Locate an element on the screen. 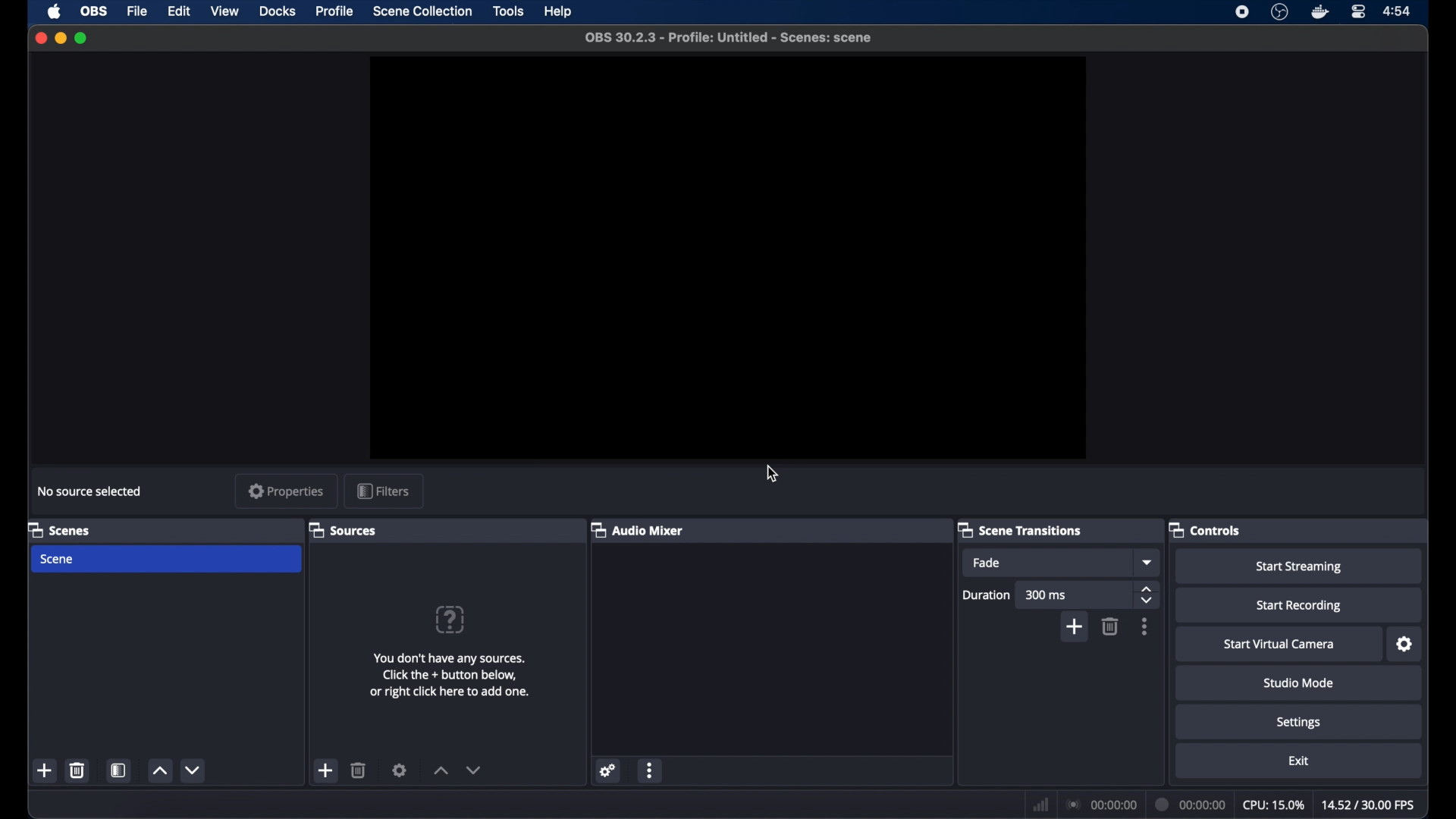 Image resolution: width=1456 pixels, height=819 pixels. increment is located at coordinates (441, 771).